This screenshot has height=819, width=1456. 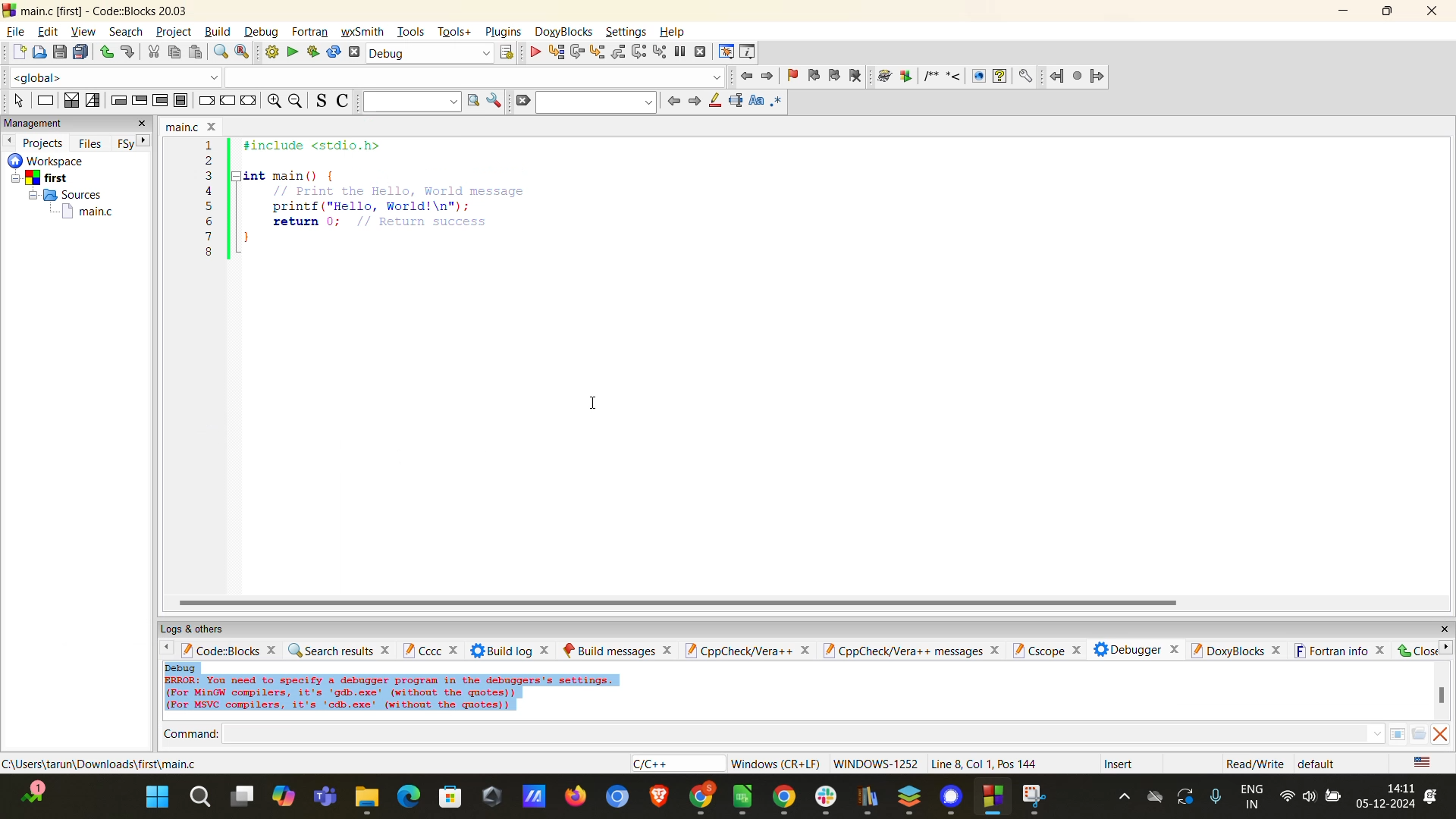 I want to click on sources, so click(x=65, y=195).